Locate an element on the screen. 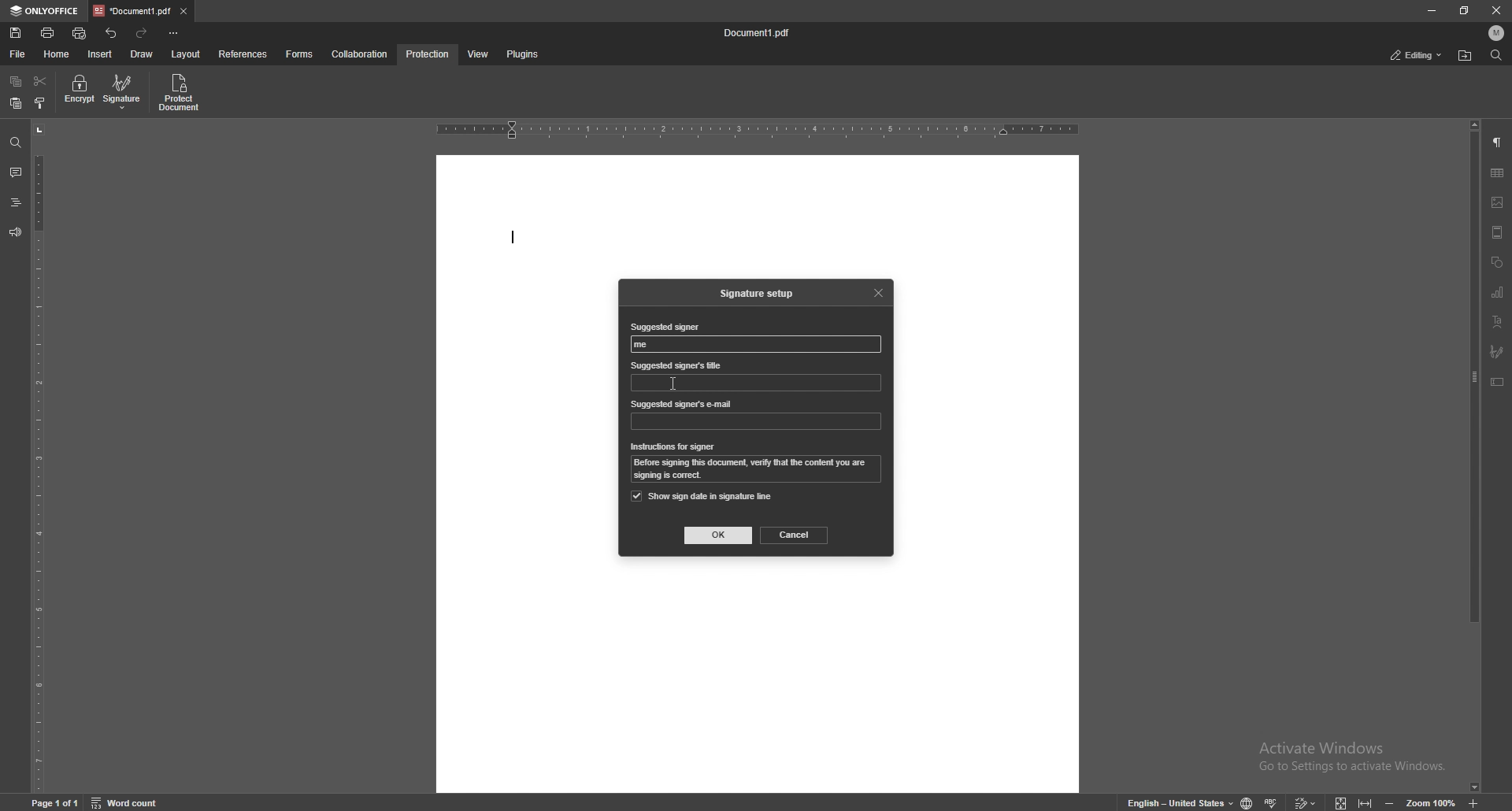 The image size is (1512, 811). signature is located at coordinates (1497, 352).